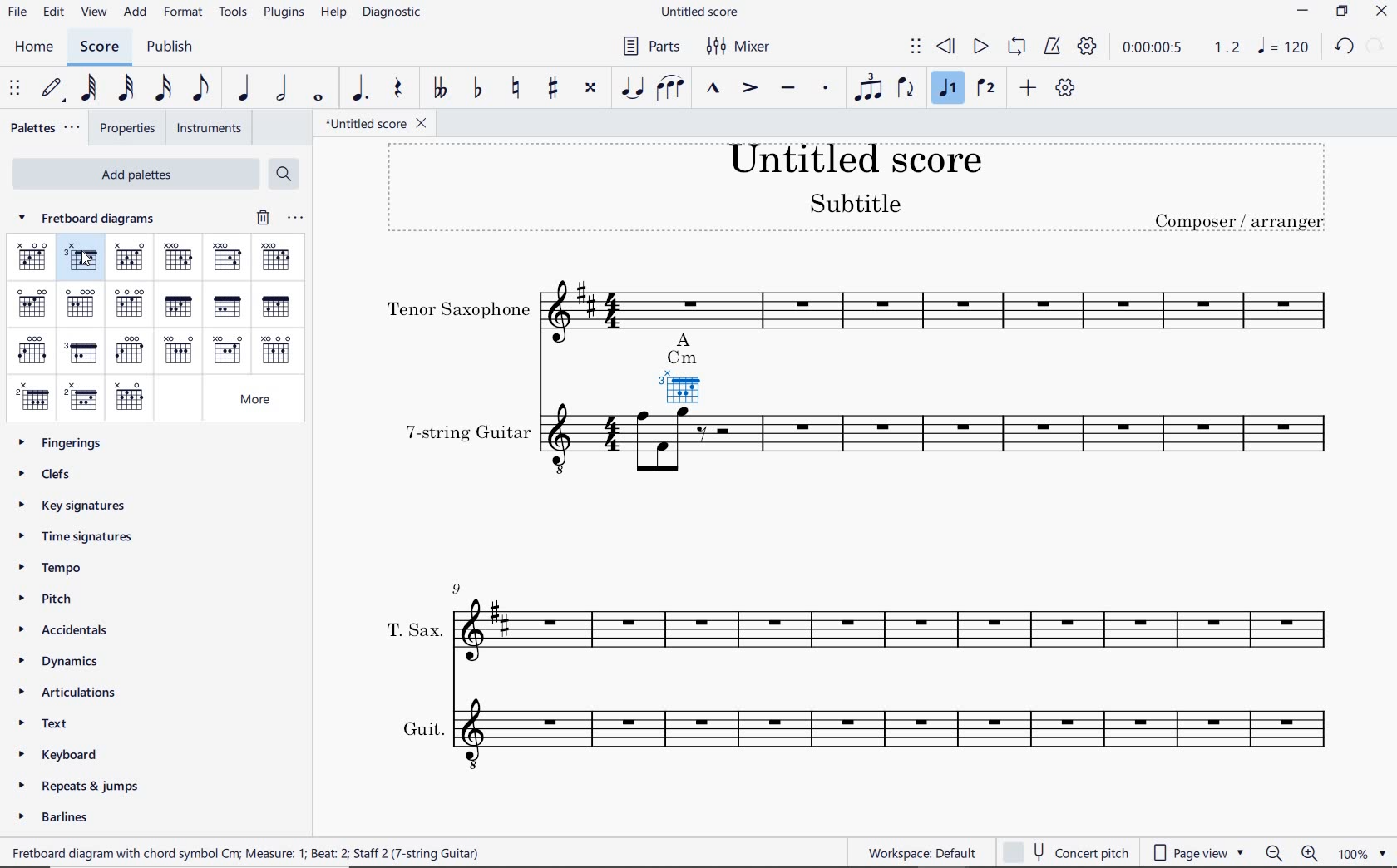 This screenshot has width=1397, height=868. Describe the element at coordinates (136, 12) in the screenshot. I see `ADD` at that location.